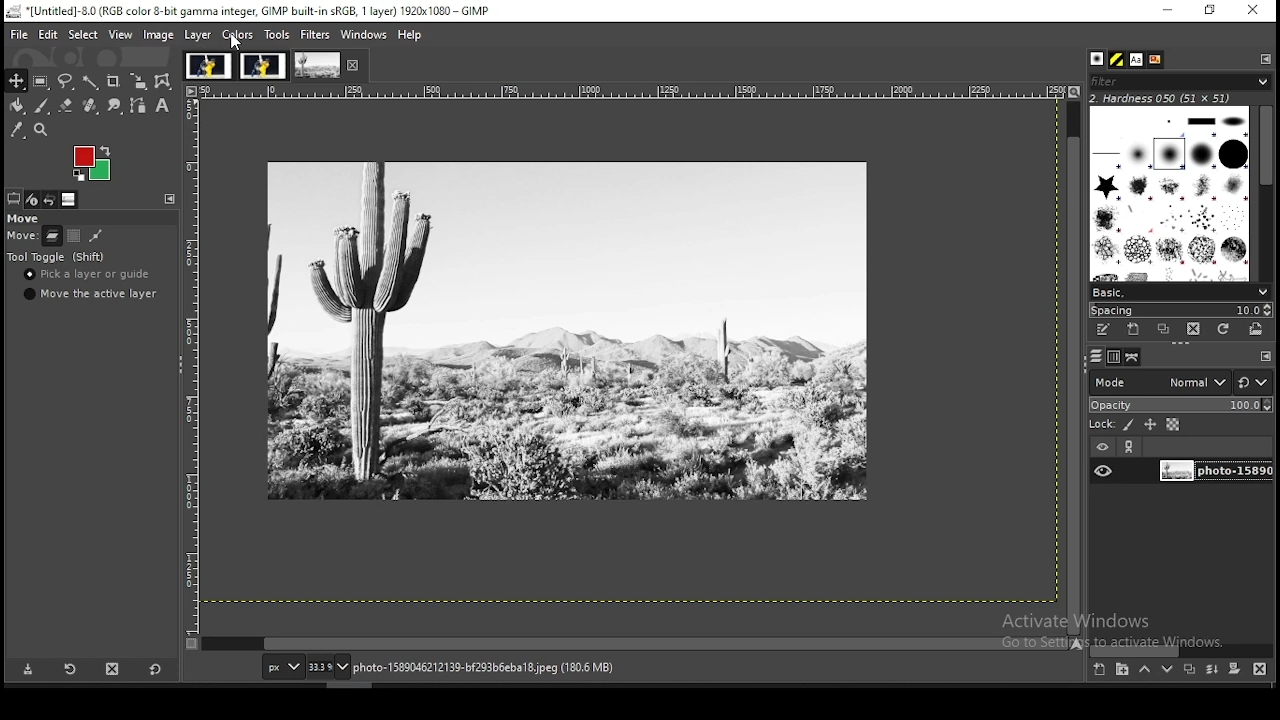 The width and height of the screenshot is (1280, 720). I want to click on image, so click(92, 165).